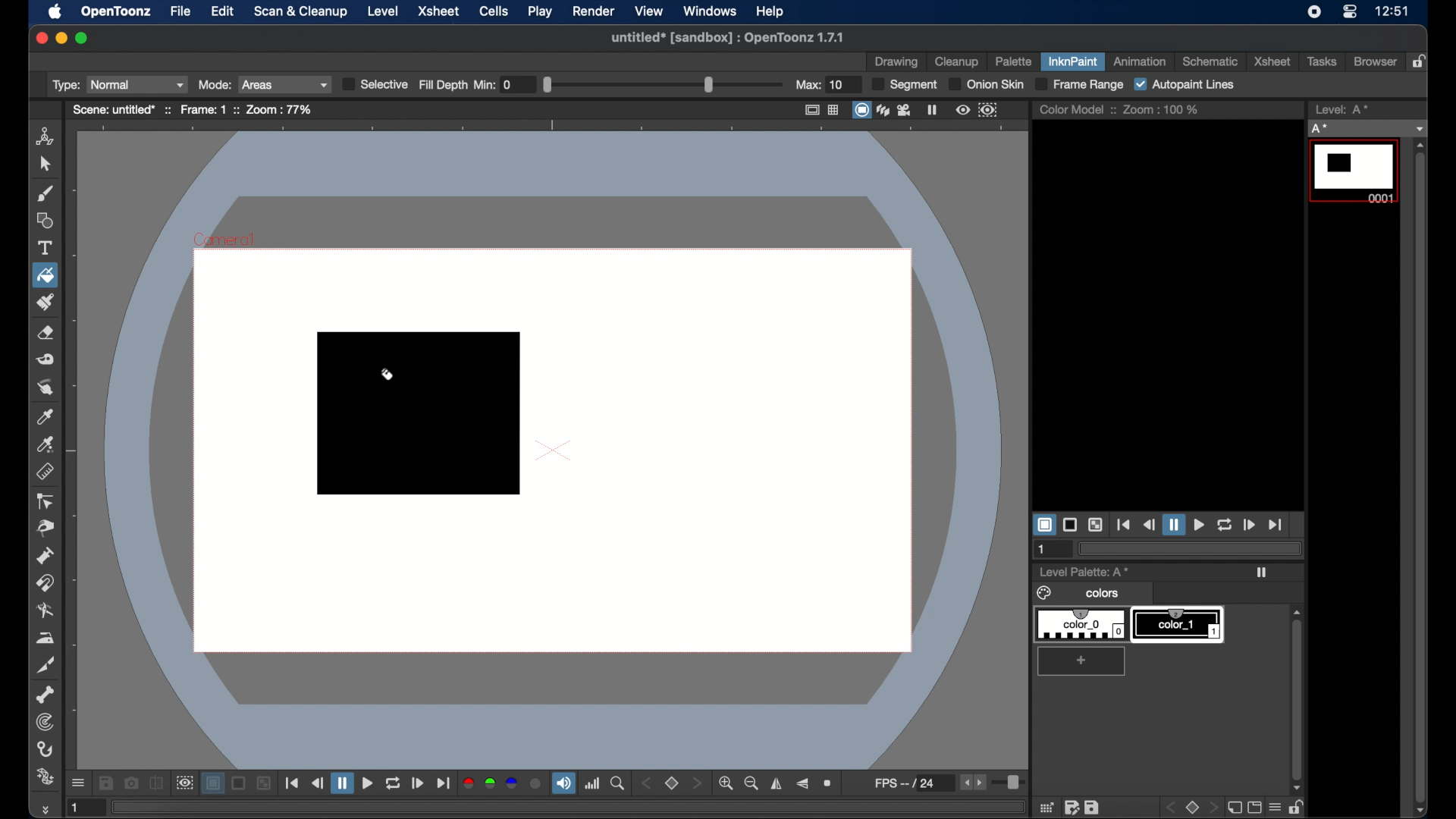 Image resolution: width=1456 pixels, height=819 pixels. I want to click on finger tool, so click(45, 388).